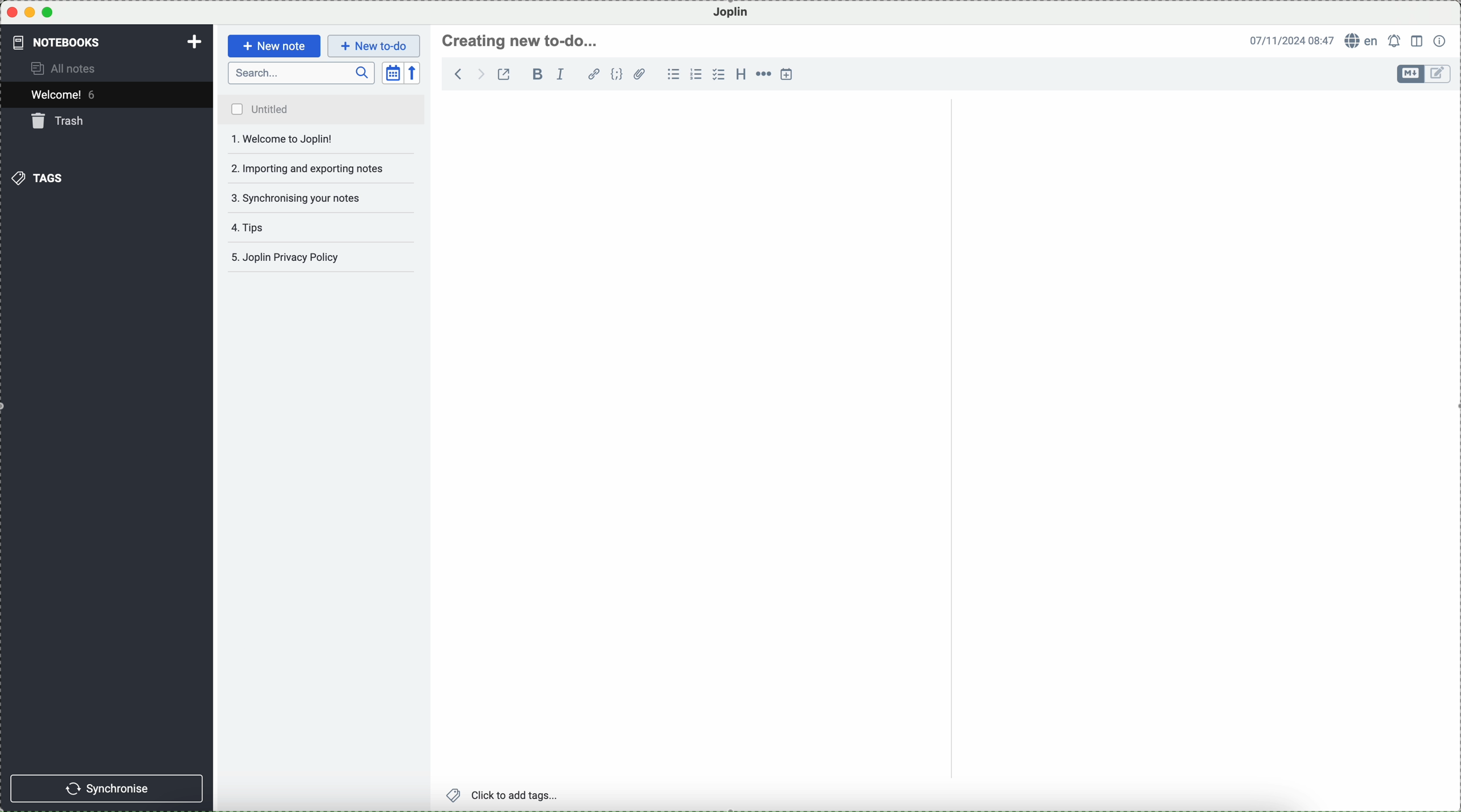  Describe the element at coordinates (1451, 192) in the screenshot. I see `vertical scroll bar` at that location.